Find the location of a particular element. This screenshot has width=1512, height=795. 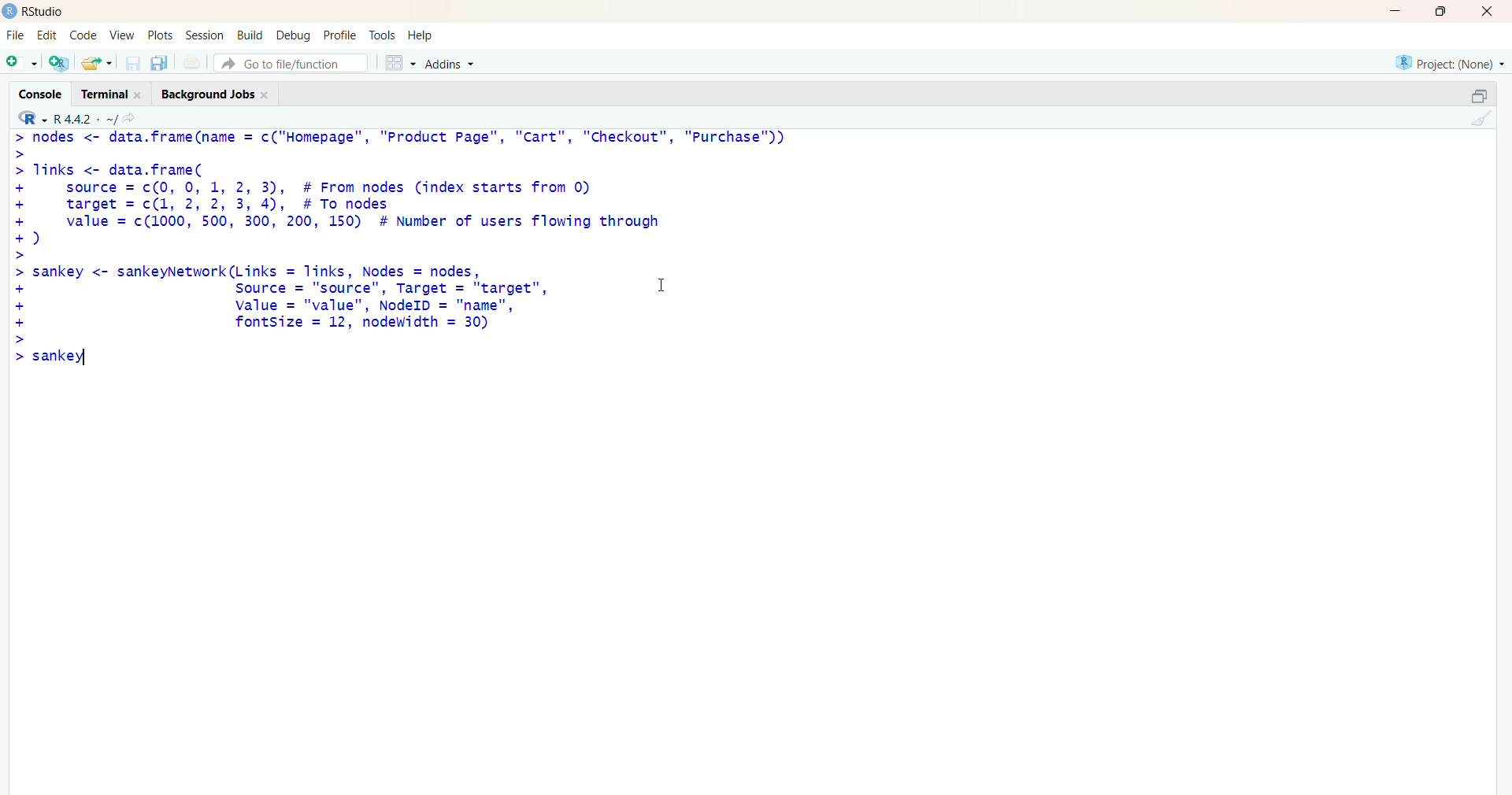

cursor is located at coordinates (660, 286).